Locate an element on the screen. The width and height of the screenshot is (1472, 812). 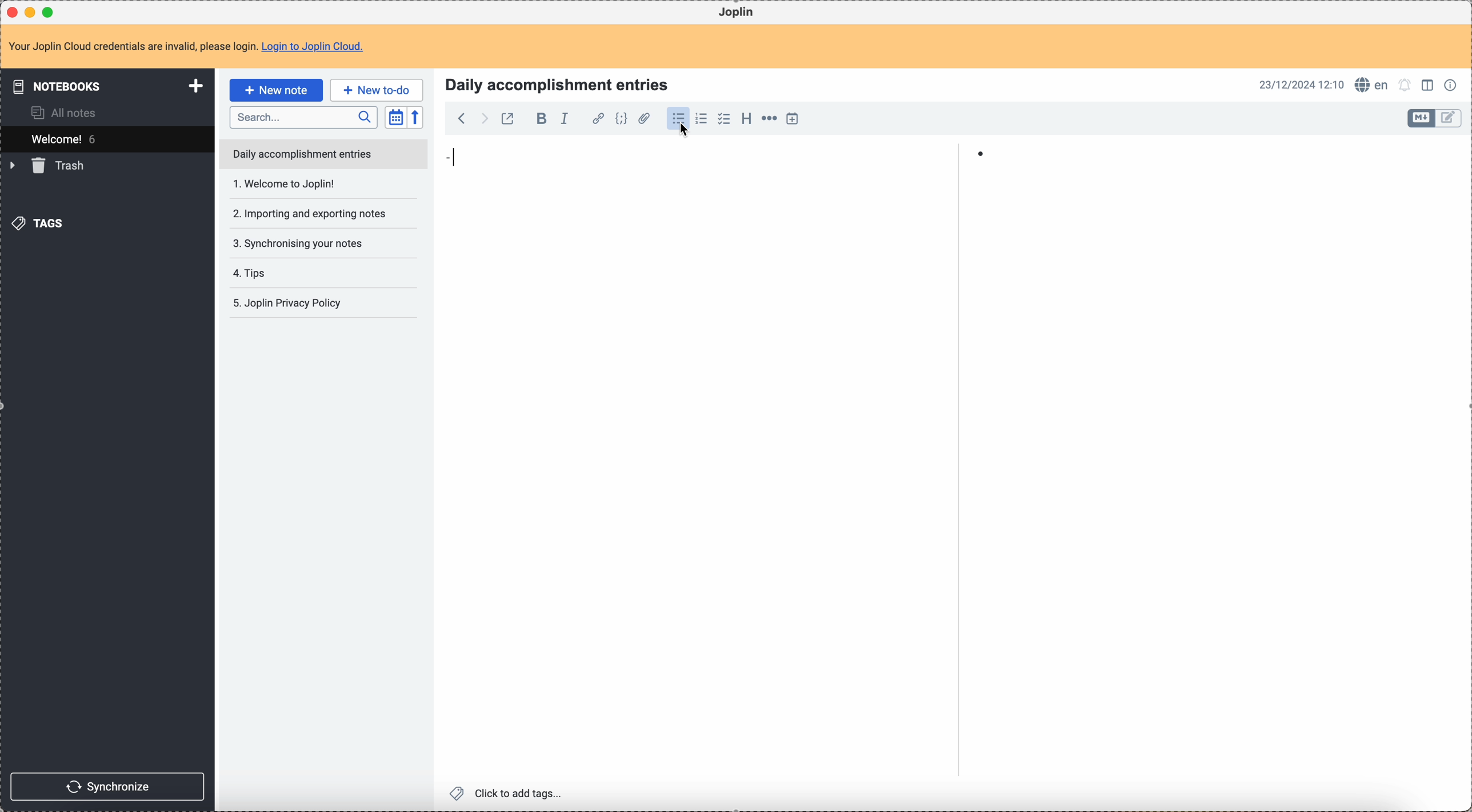
notebooks is located at coordinates (105, 85).